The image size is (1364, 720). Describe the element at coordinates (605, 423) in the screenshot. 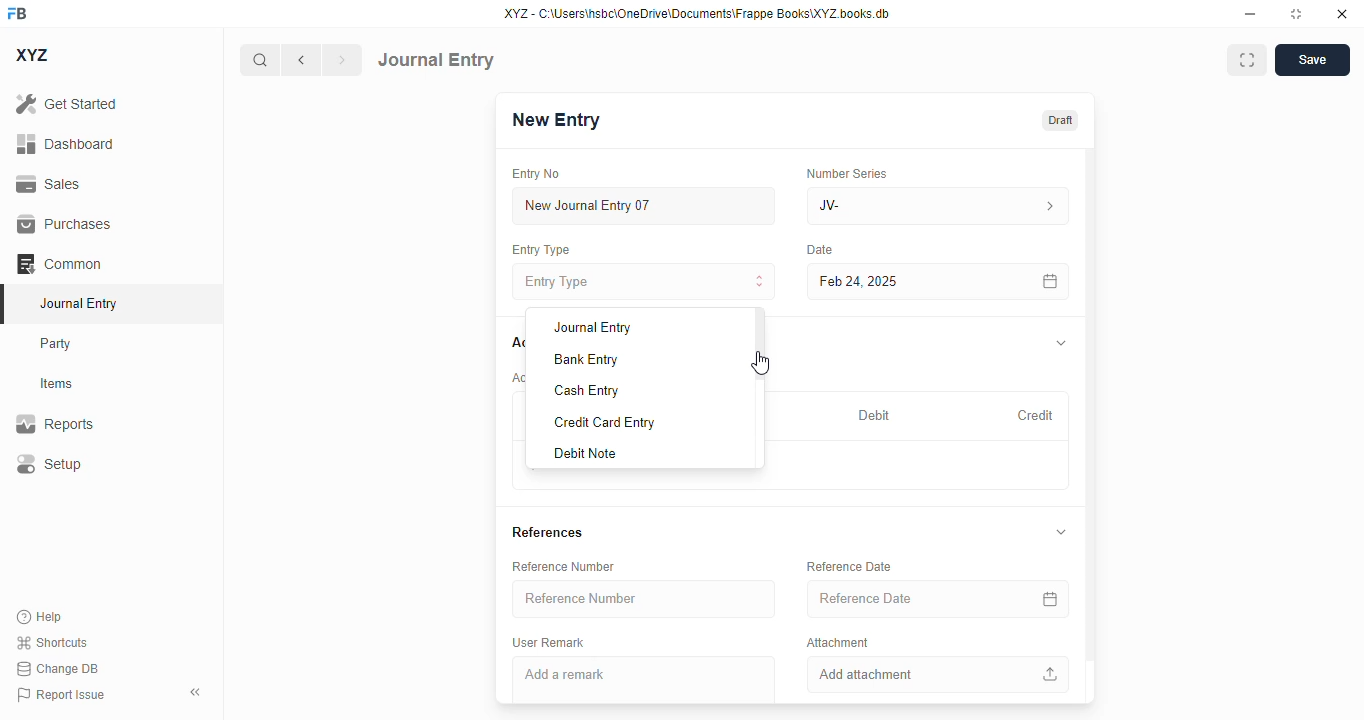

I see `credit card entry` at that location.